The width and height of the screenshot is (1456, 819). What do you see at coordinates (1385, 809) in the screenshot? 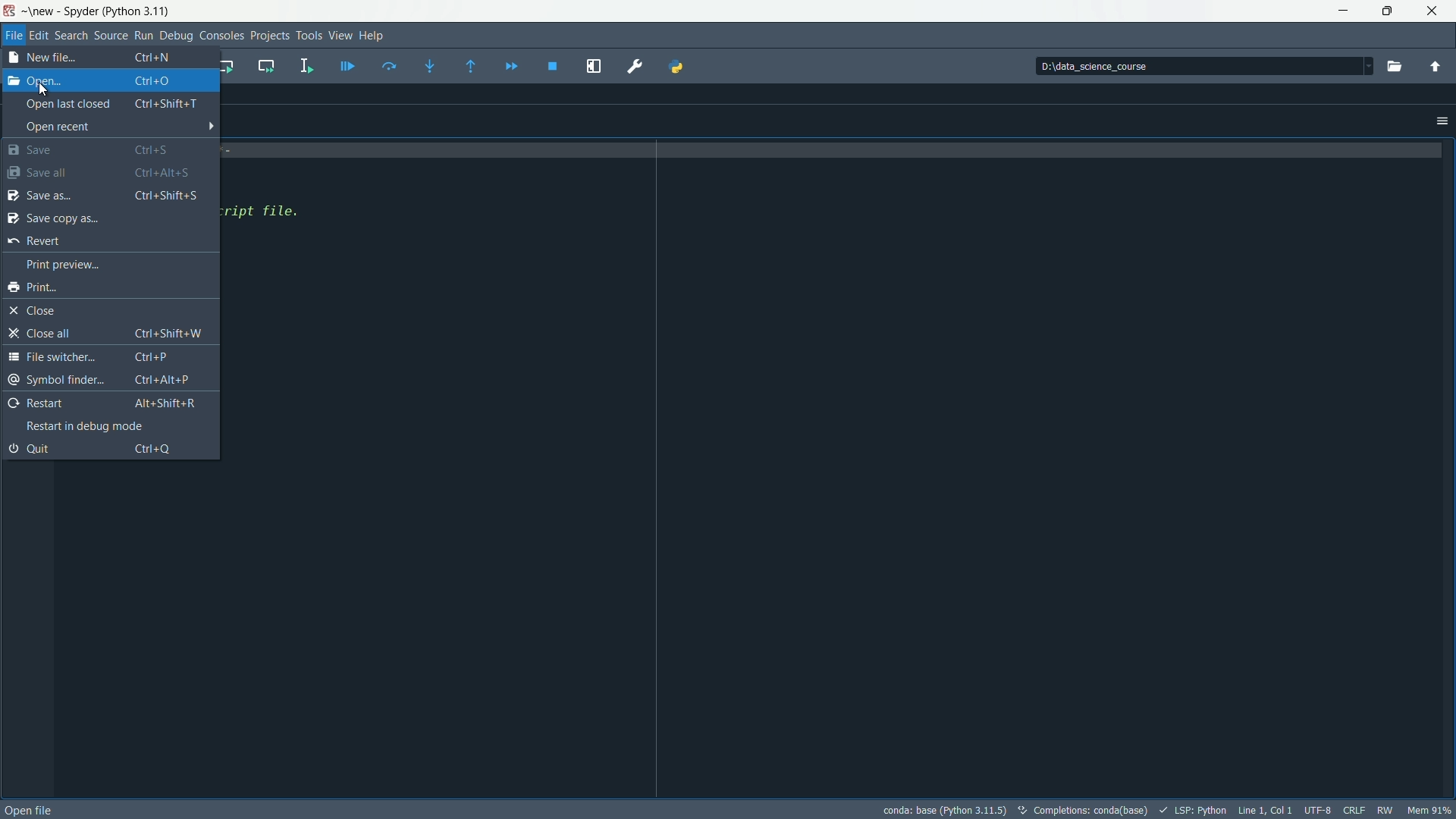
I see `rw` at bounding box center [1385, 809].